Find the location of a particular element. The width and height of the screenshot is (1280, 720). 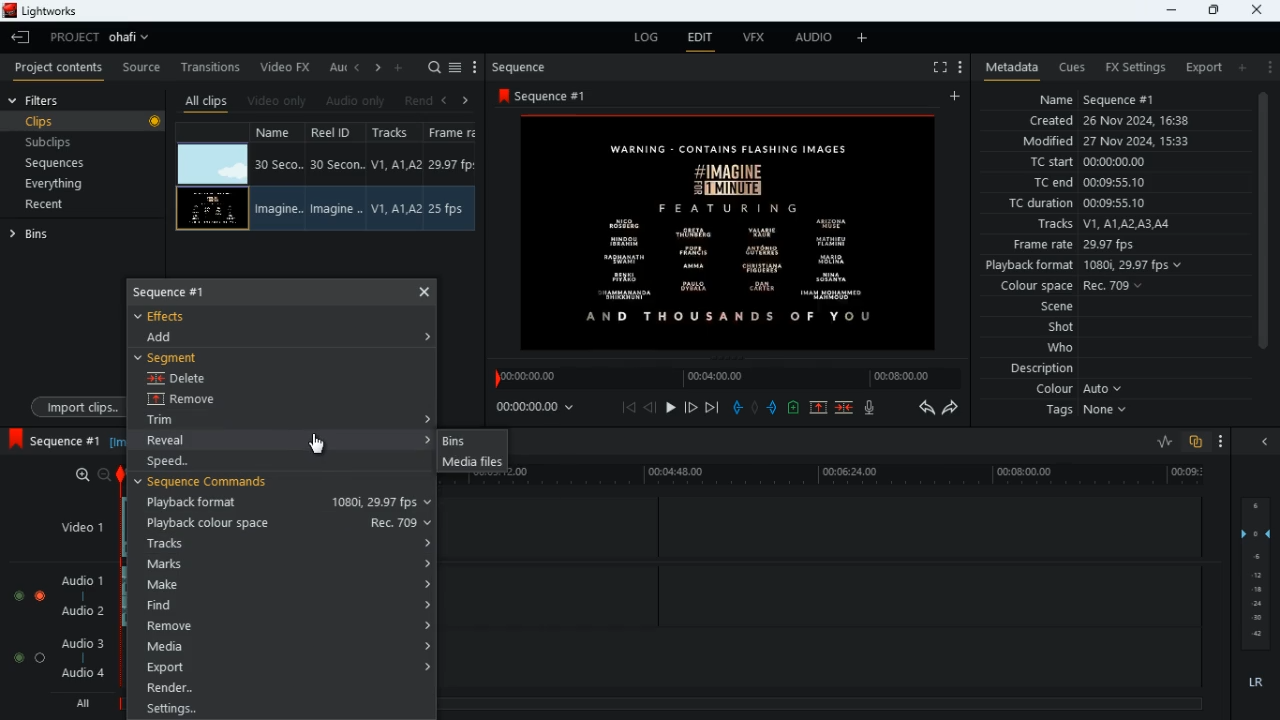

audio 4 is located at coordinates (86, 677).